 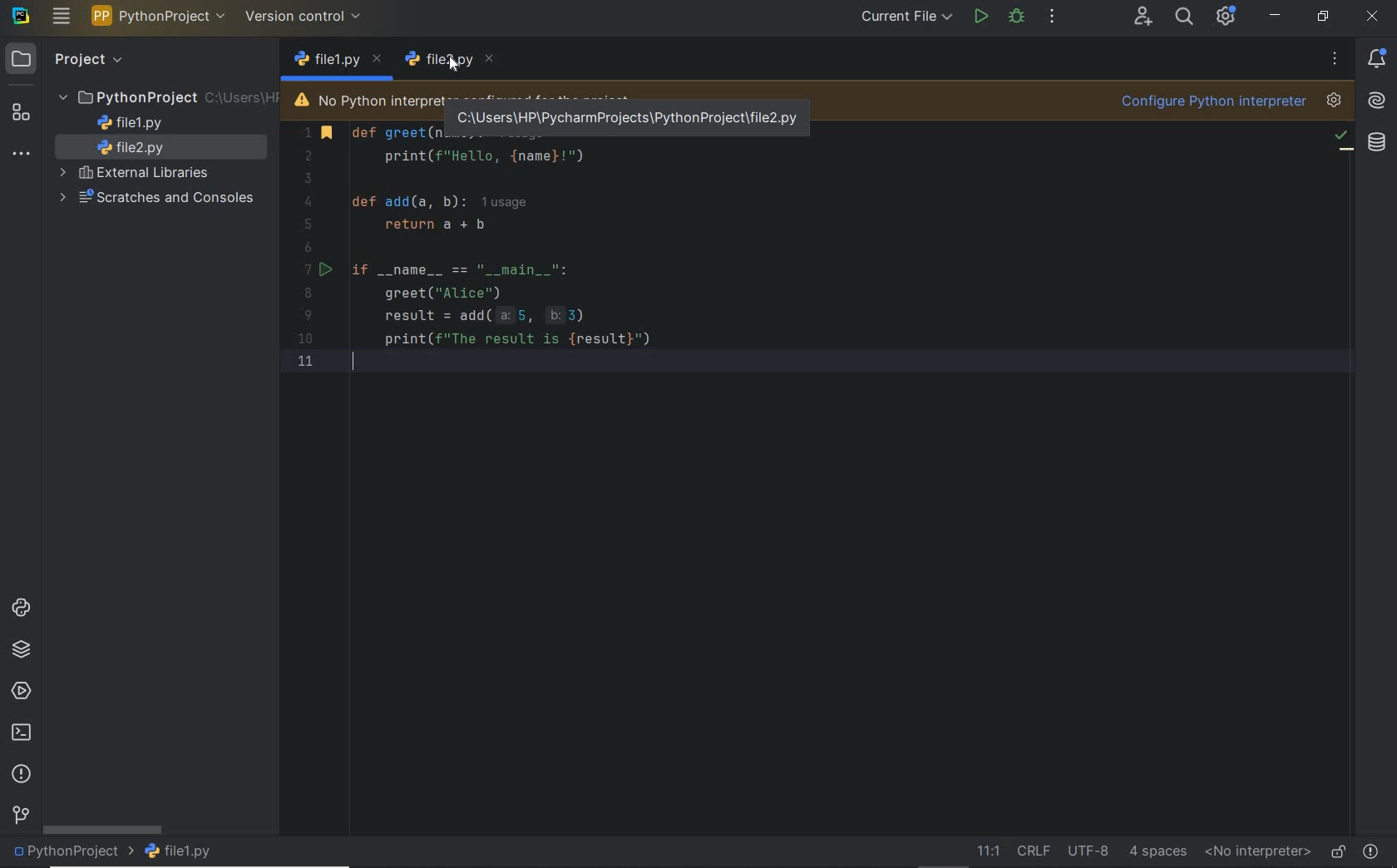 What do you see at coordinates (25, 115) in the screenshot?
I see `structure` at bounding box center [25, 115].